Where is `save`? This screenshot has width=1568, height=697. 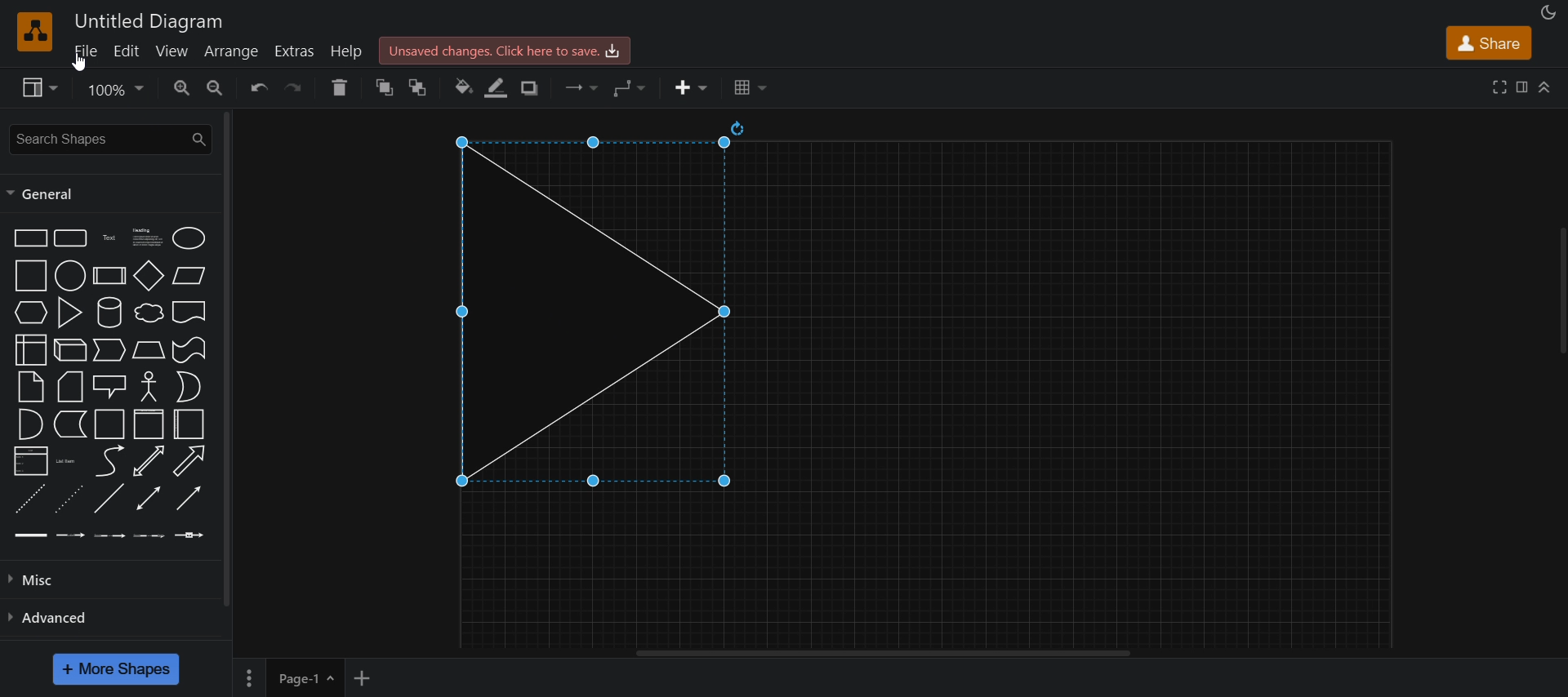
save is located at coordinates (510, 51).